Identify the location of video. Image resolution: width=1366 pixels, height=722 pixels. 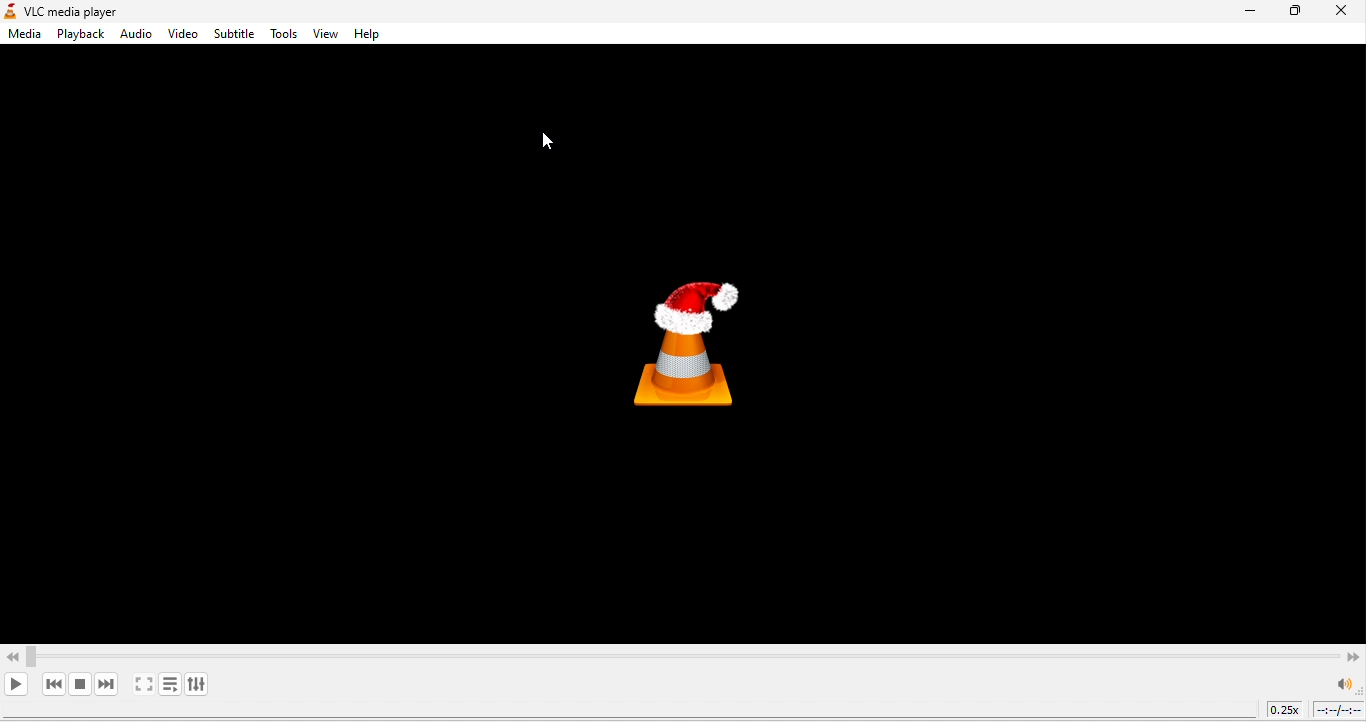
(184, 34).